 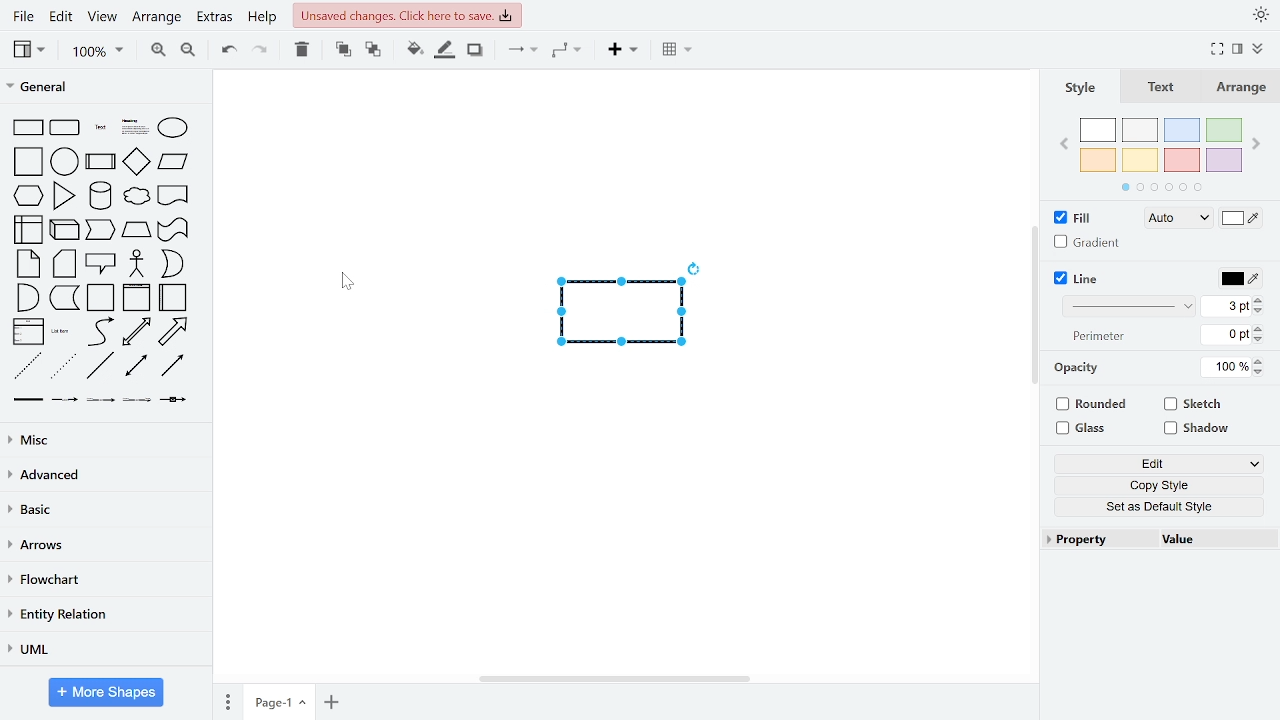 What do you see at coordinates (407, 15) in the screenshot?
I see `unsaved changes . Click here to save` at bounding box center [407, 15].